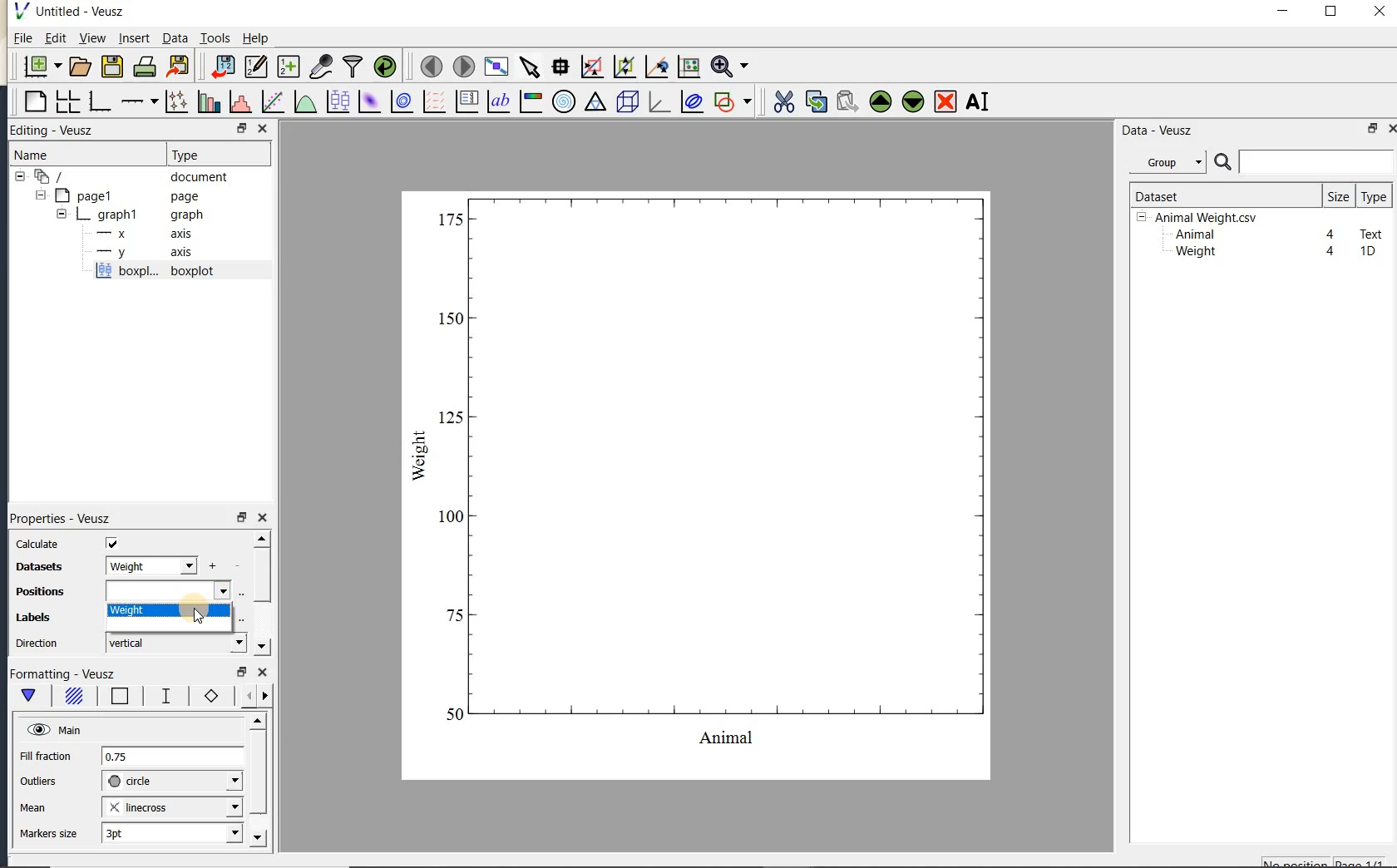 This screenshot has width=1397, height=868. I want to click on Name, so click(49, 155).